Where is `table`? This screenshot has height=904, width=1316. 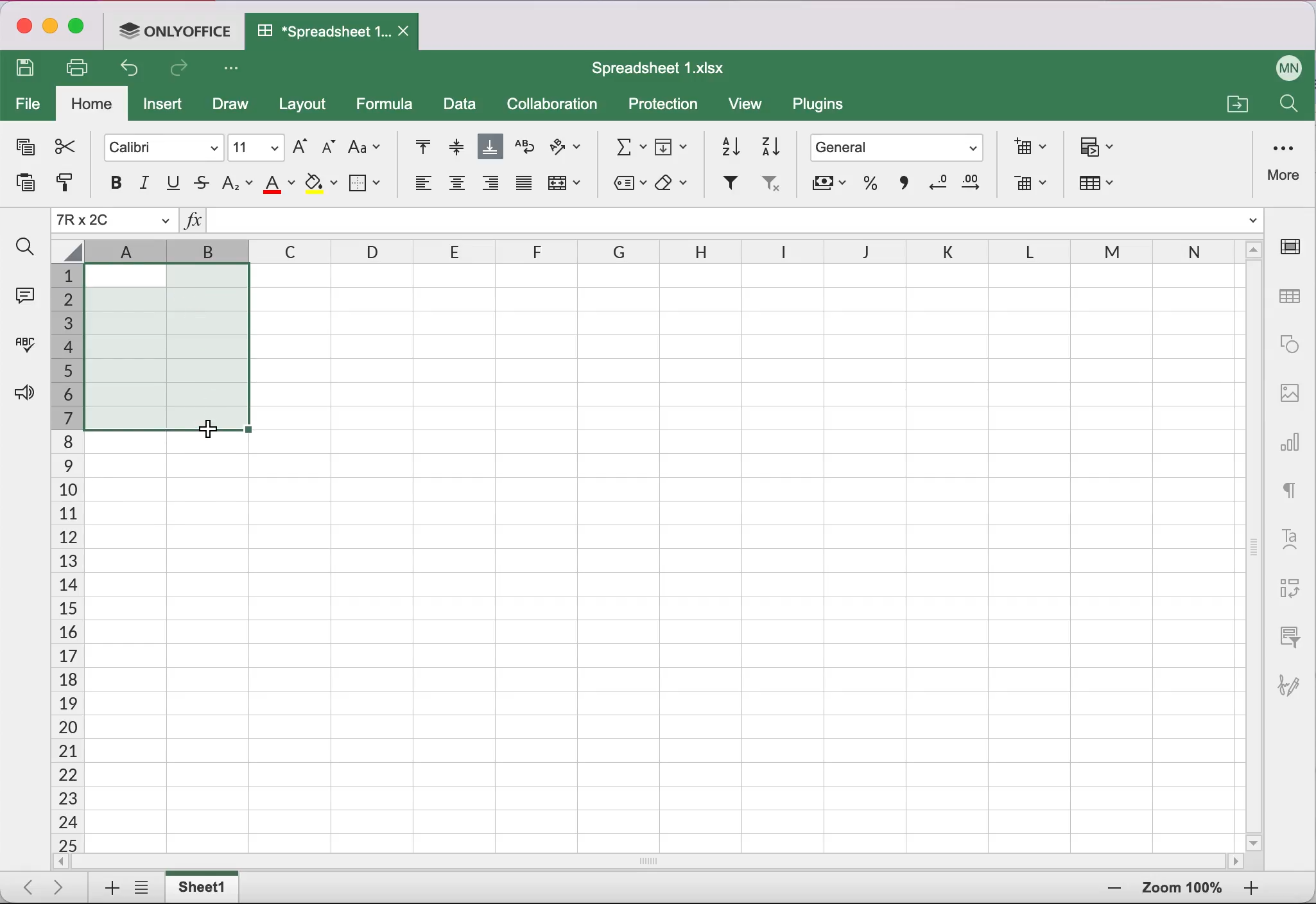
table is located at coordinates (1292, 297).